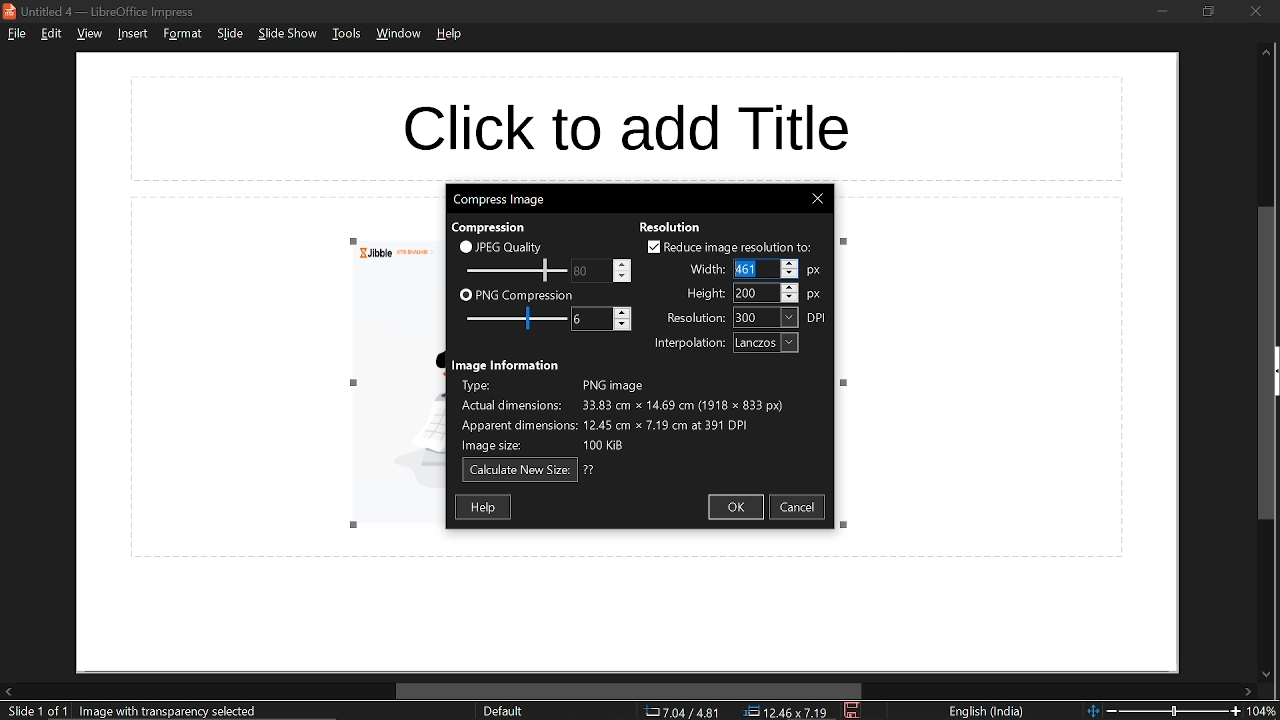  What do you see at coordinates (815, 295) in the screenshot?
I see `px` at bounding box center [815, 295].